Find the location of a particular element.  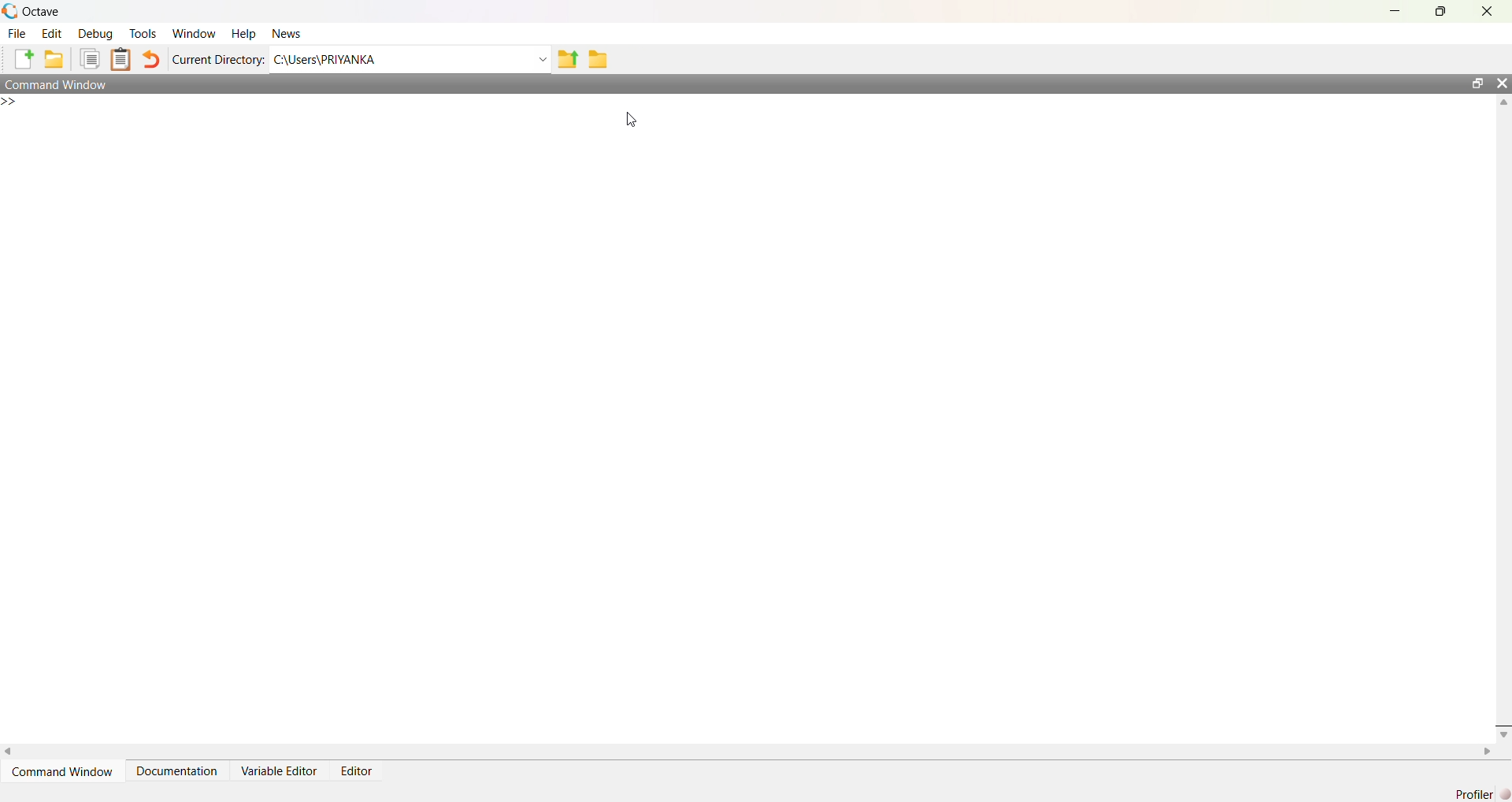

C:\Users\PRIYANKA is located at coordinates (411, 60).